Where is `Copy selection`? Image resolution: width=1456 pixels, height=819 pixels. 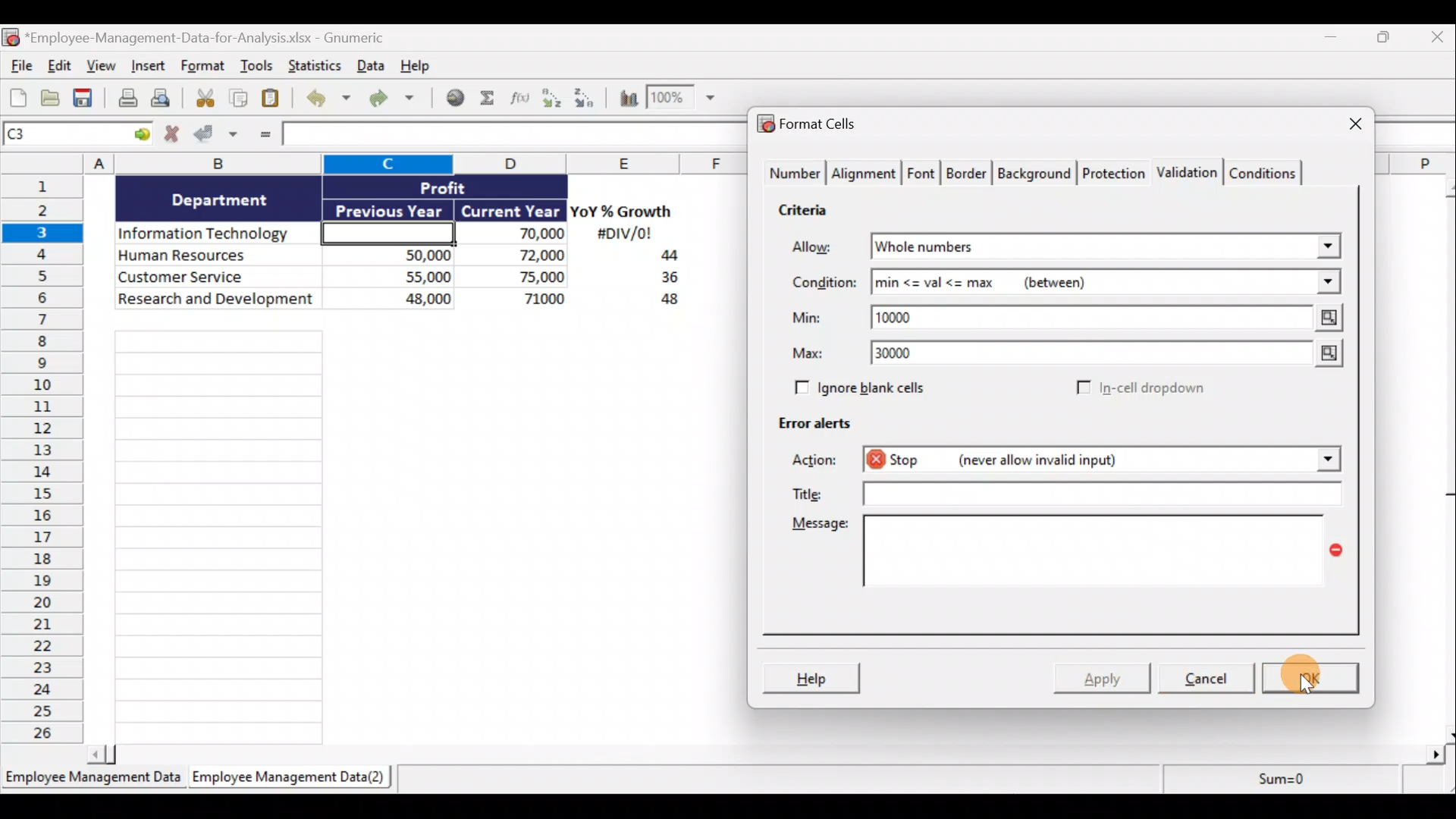 Copy selection is located at coordinates (239, 99).